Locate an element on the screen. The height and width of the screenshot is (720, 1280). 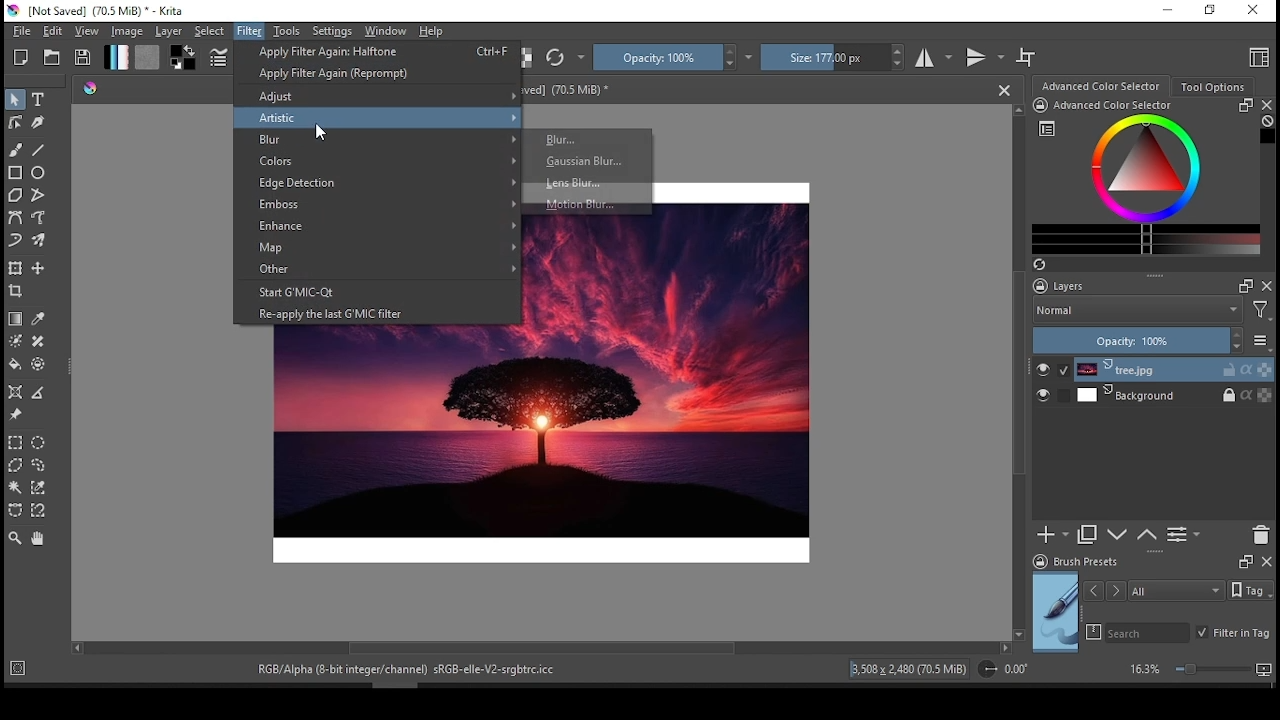
new is located at coordinates (21, 58).